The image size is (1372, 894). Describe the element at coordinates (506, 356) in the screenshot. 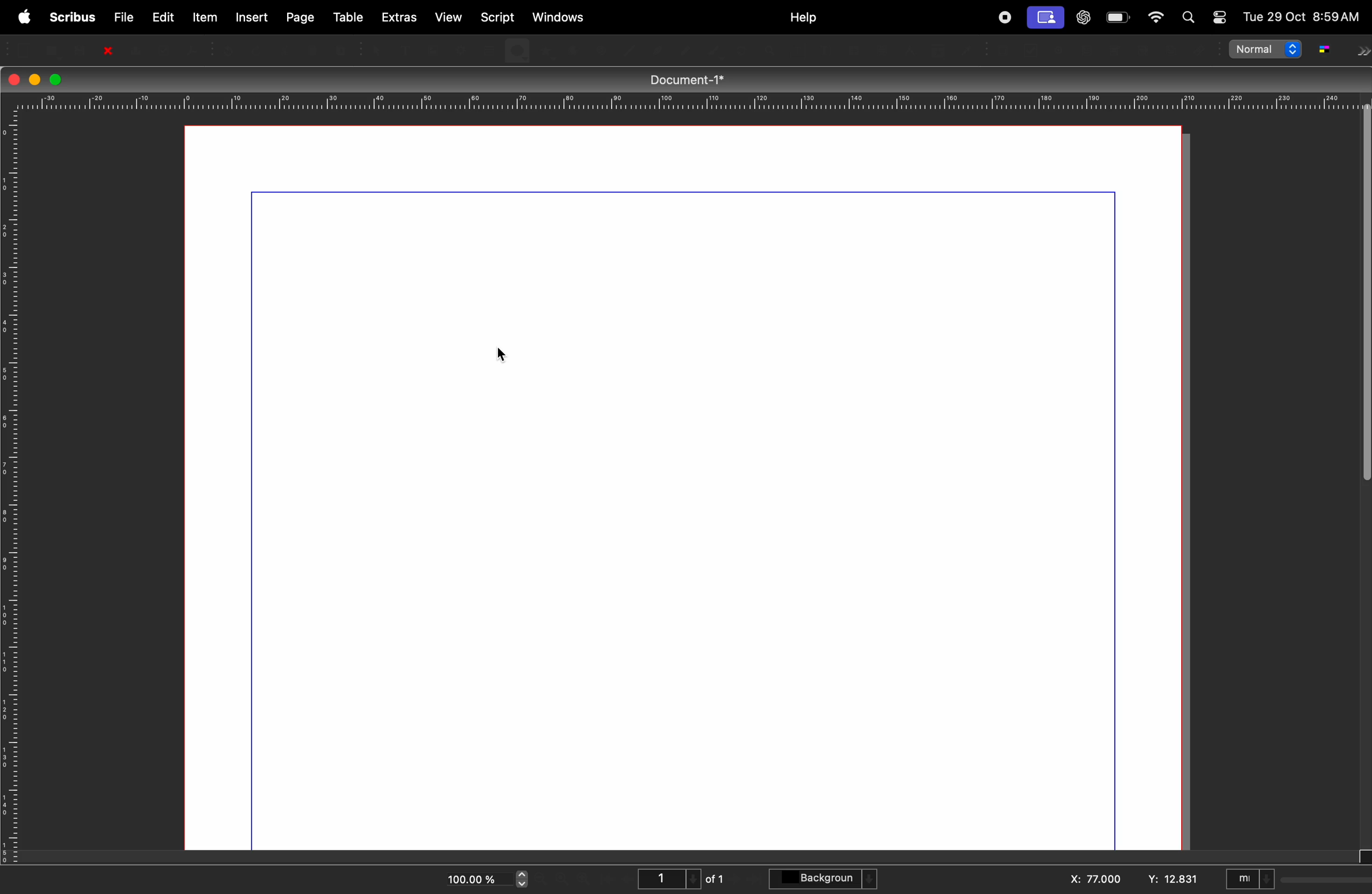

I see `cursor` at that location.